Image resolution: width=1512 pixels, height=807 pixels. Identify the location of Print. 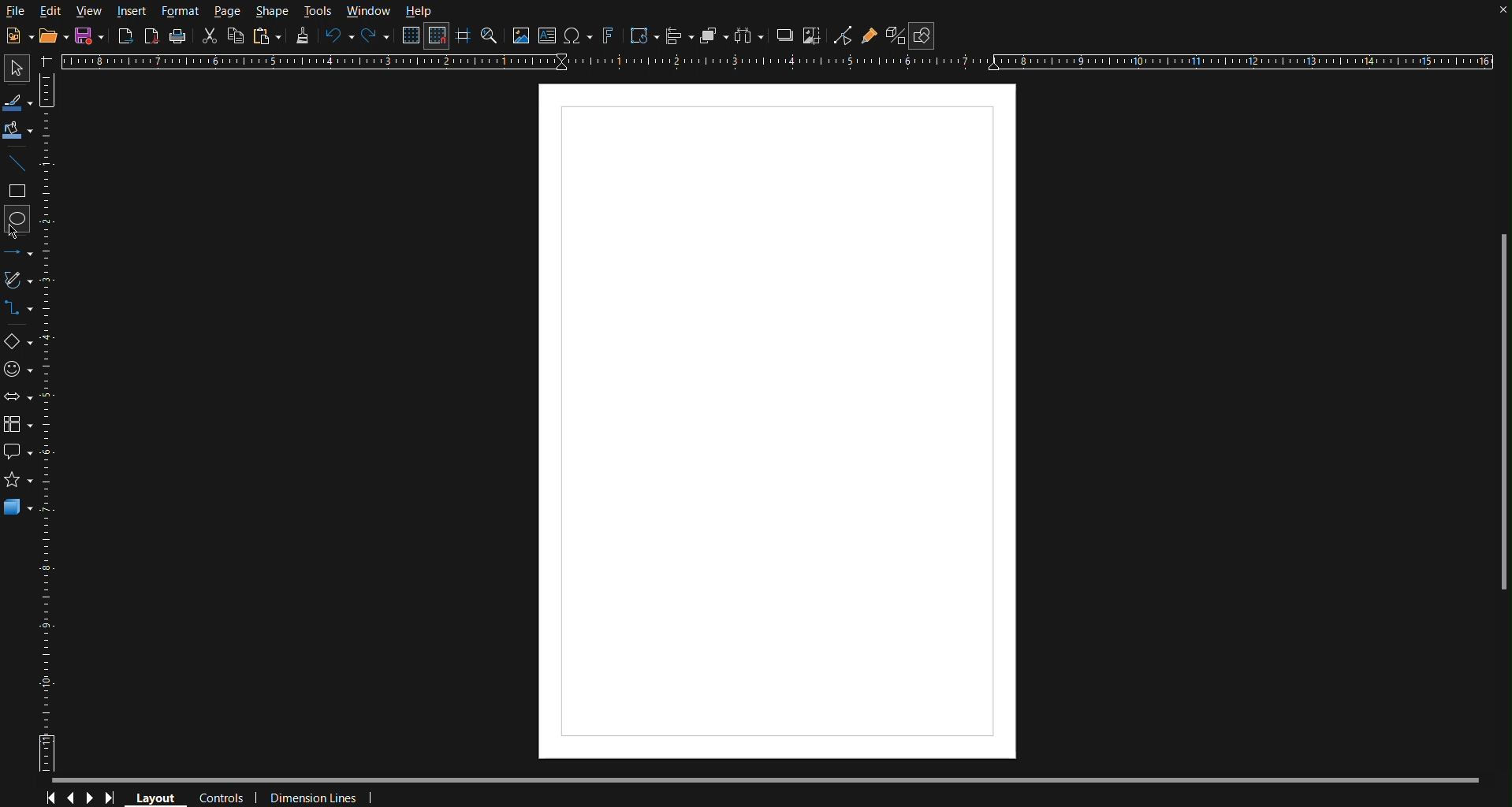
(180, 35).